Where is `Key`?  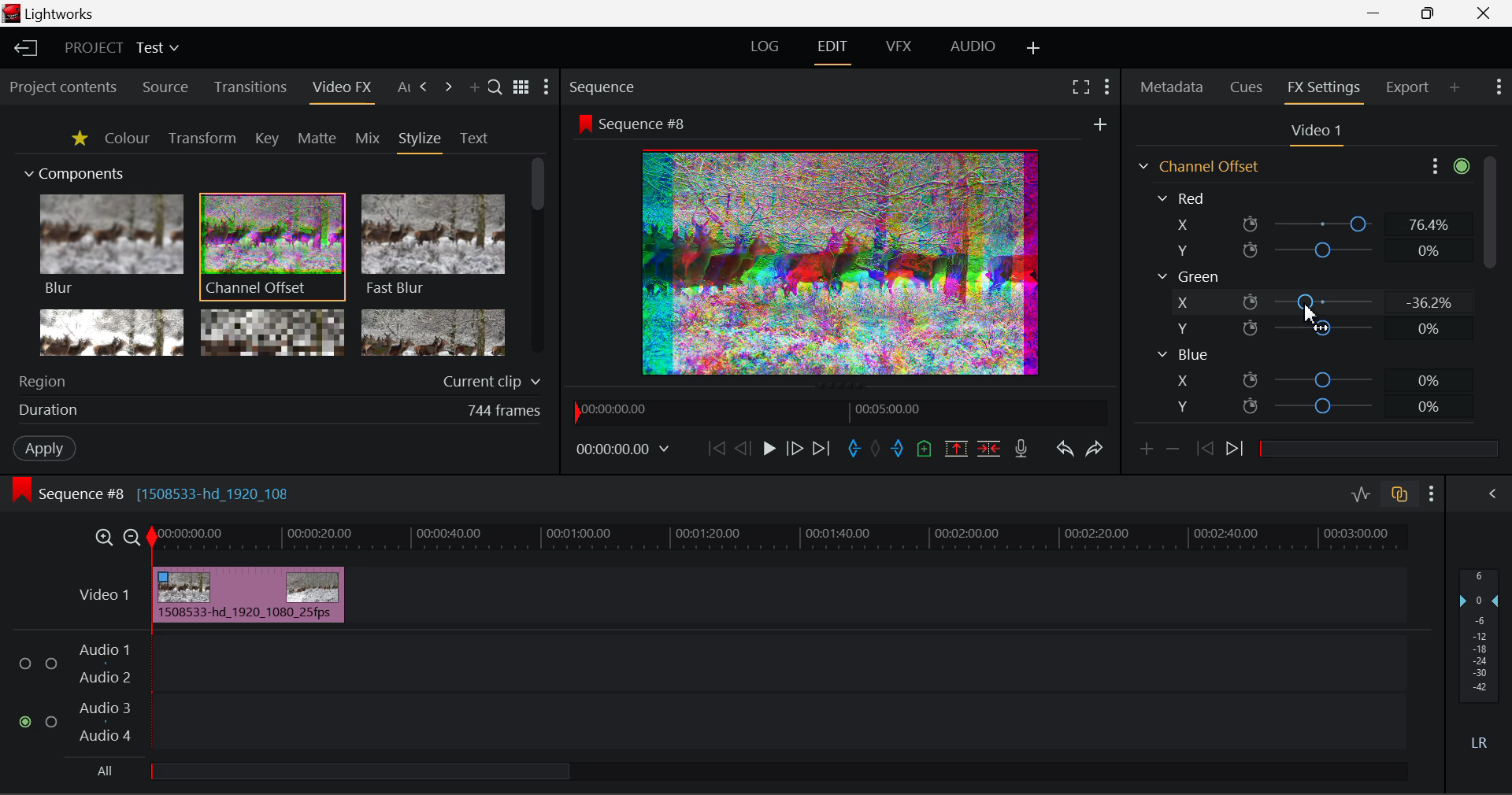
Key is located at coordinates (265, 139).